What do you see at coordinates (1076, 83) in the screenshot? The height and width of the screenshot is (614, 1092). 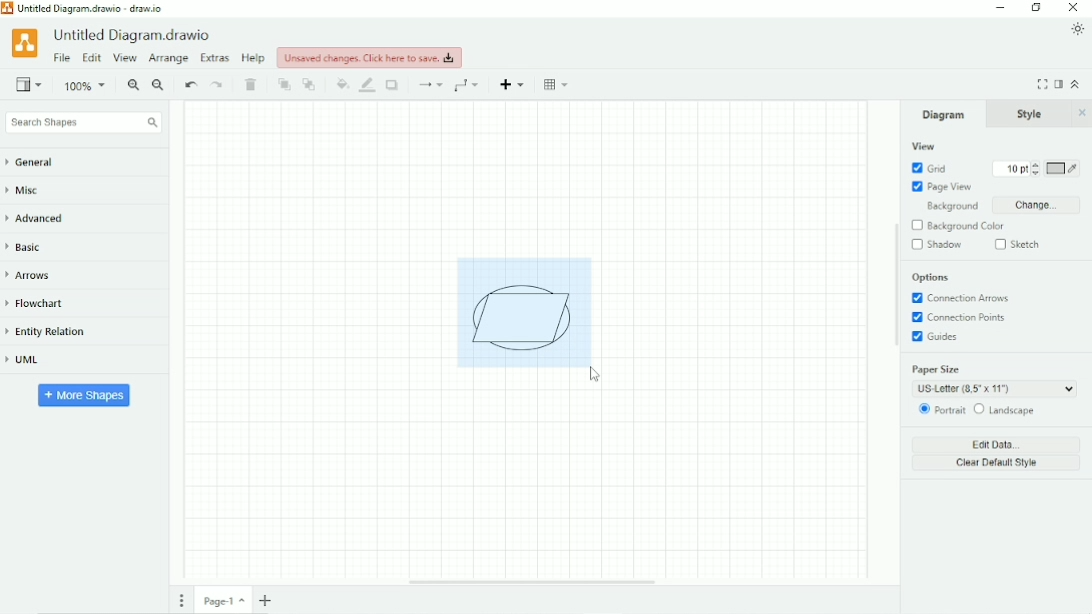 I see `Collapse/Expand` at bounding box center [1076, 83].